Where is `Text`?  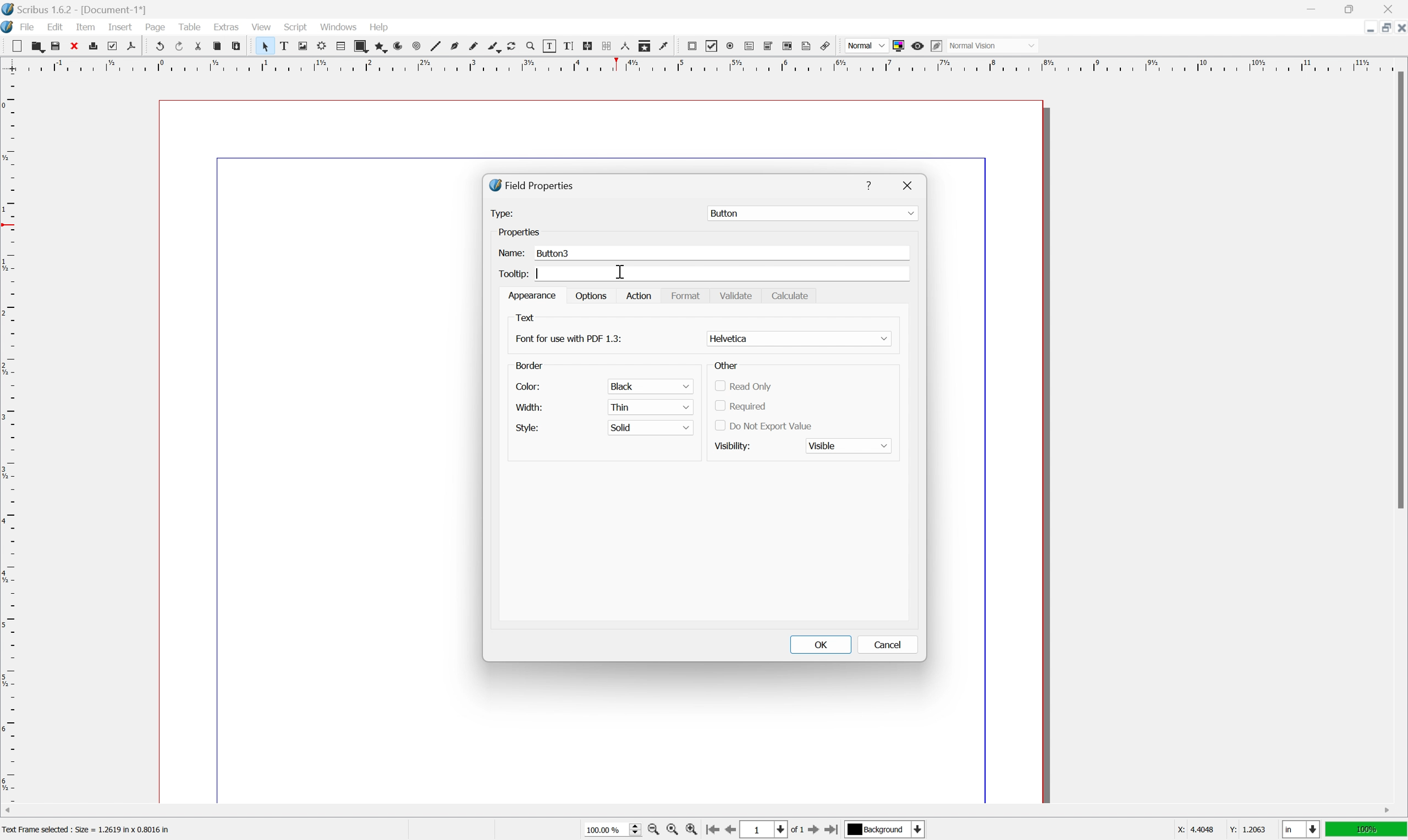 Text is located at coordinates (525, 318).